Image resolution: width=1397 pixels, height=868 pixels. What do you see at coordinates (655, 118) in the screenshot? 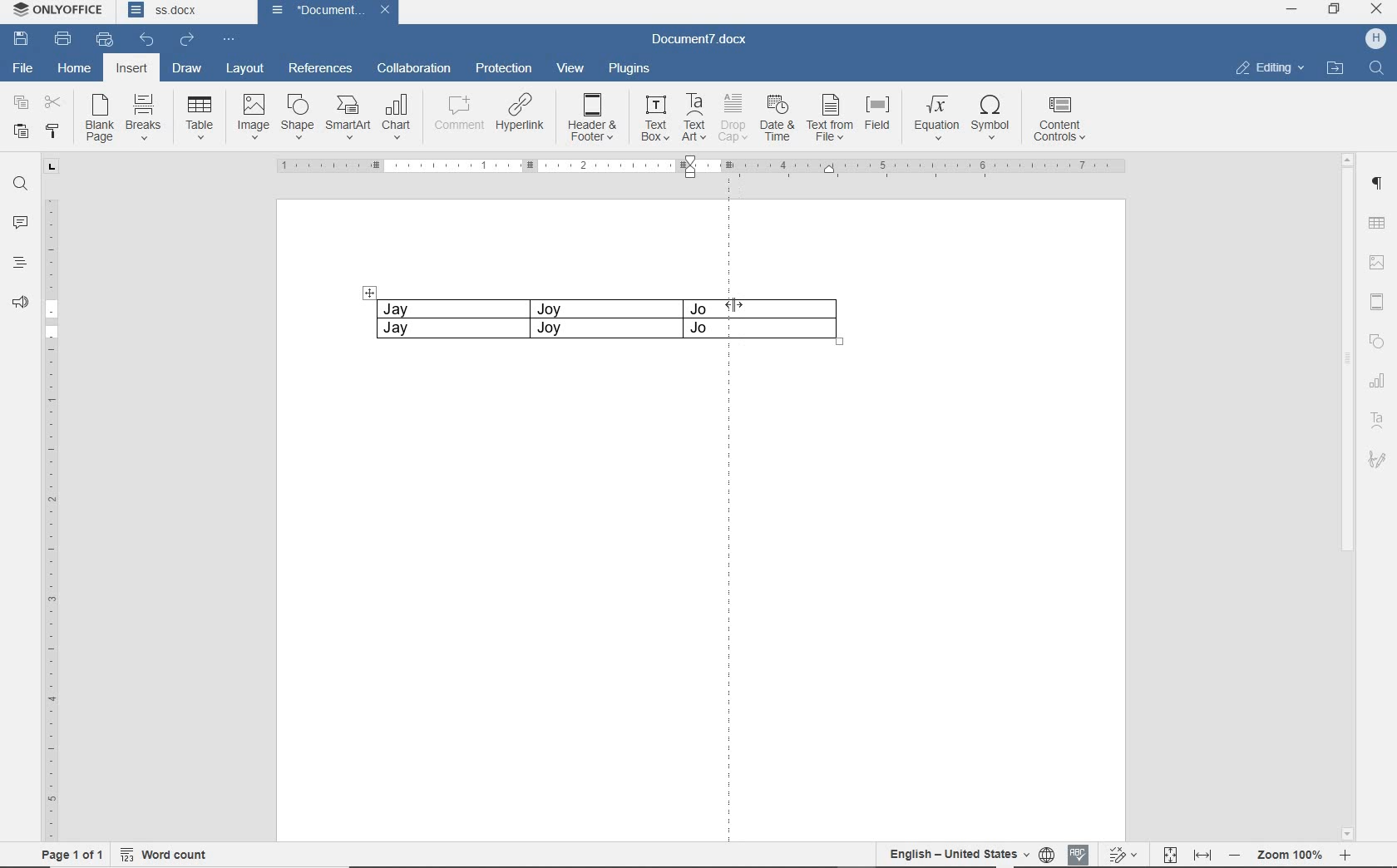
I see `TEXT BOX` at bounding box center [655, 118].